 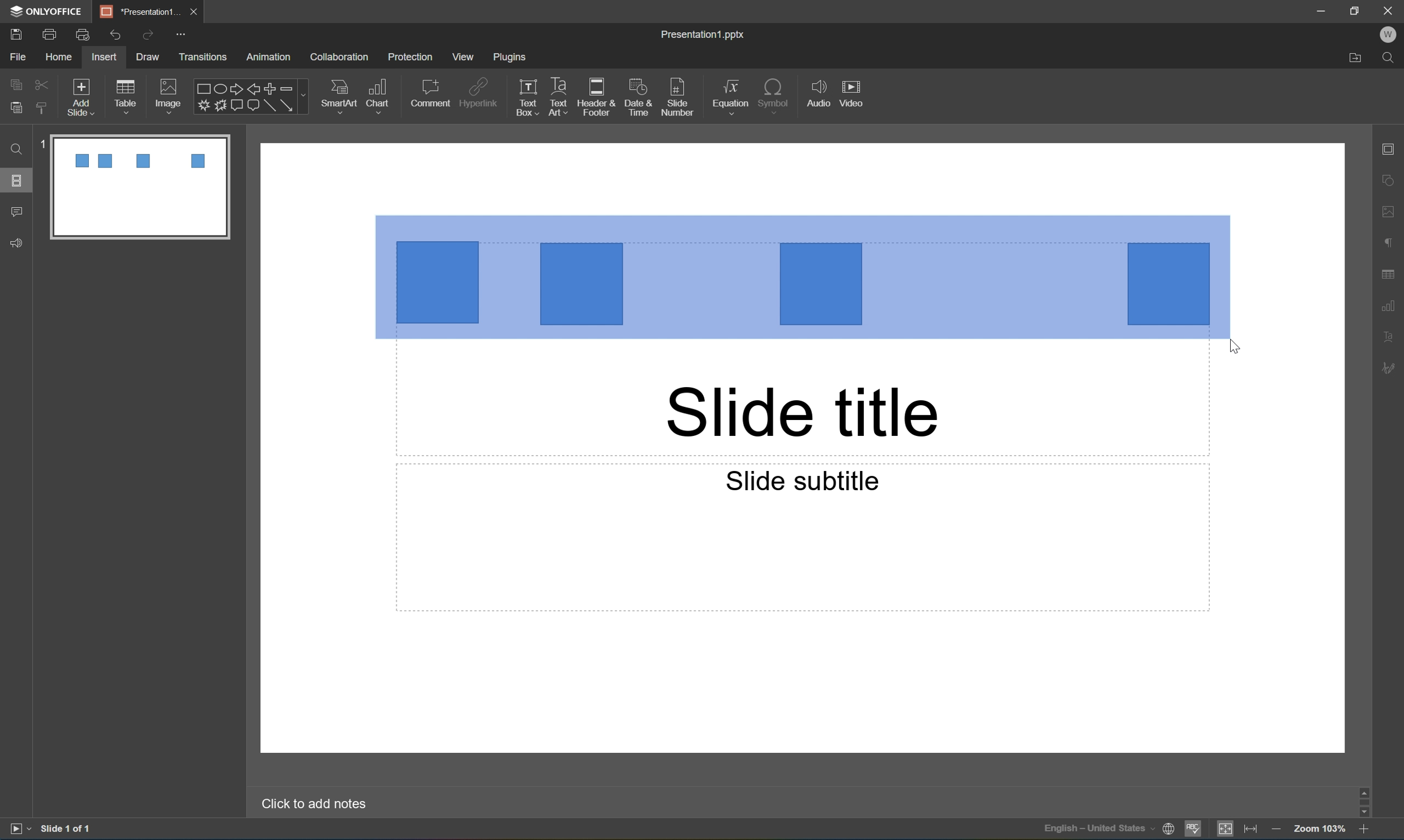 What do you see at coordinates (1321, 830) in the screenshot?
I see `zoom 100%` at bounding box center [1321, 830].